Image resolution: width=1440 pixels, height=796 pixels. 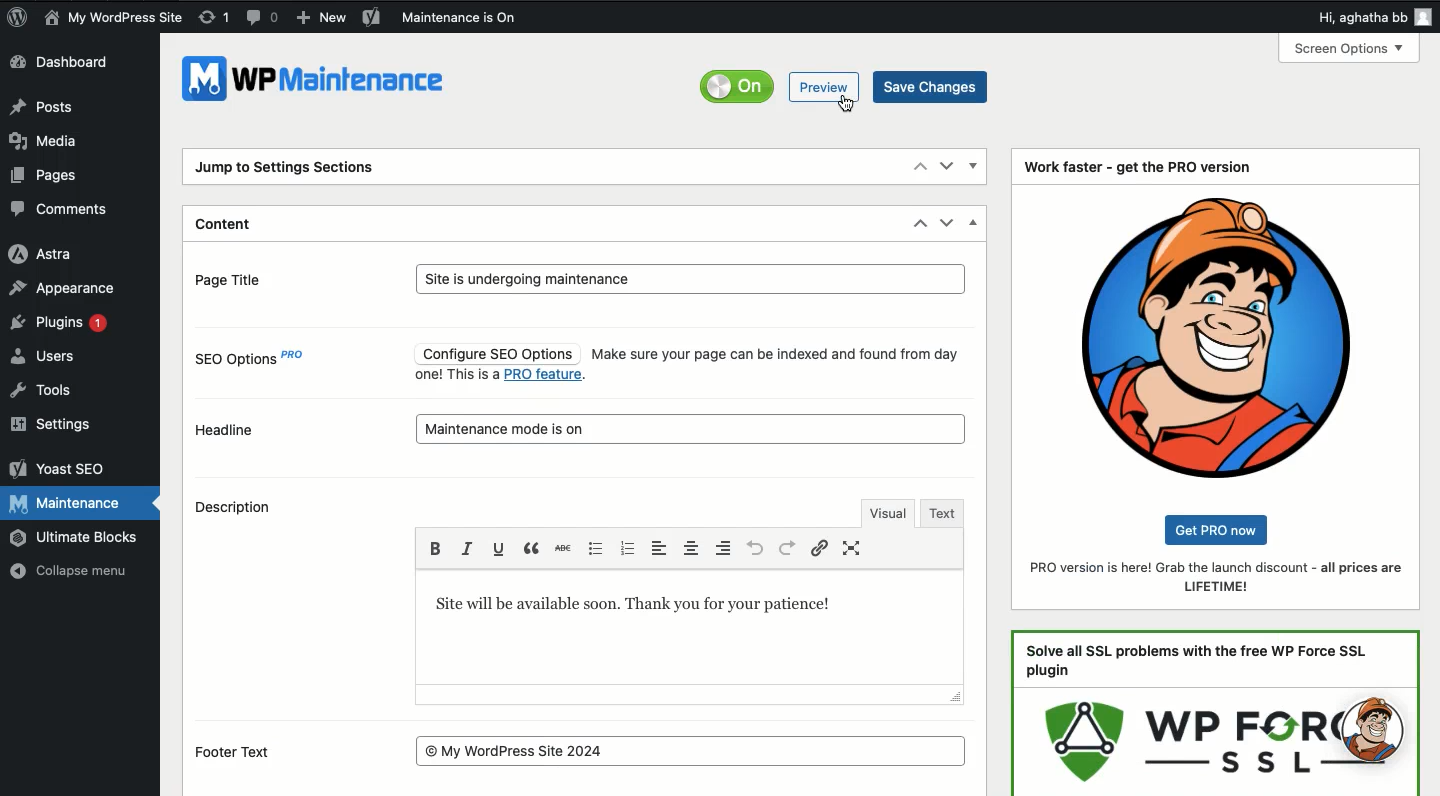 I want to click on Revision, so click(x=214, y=18).